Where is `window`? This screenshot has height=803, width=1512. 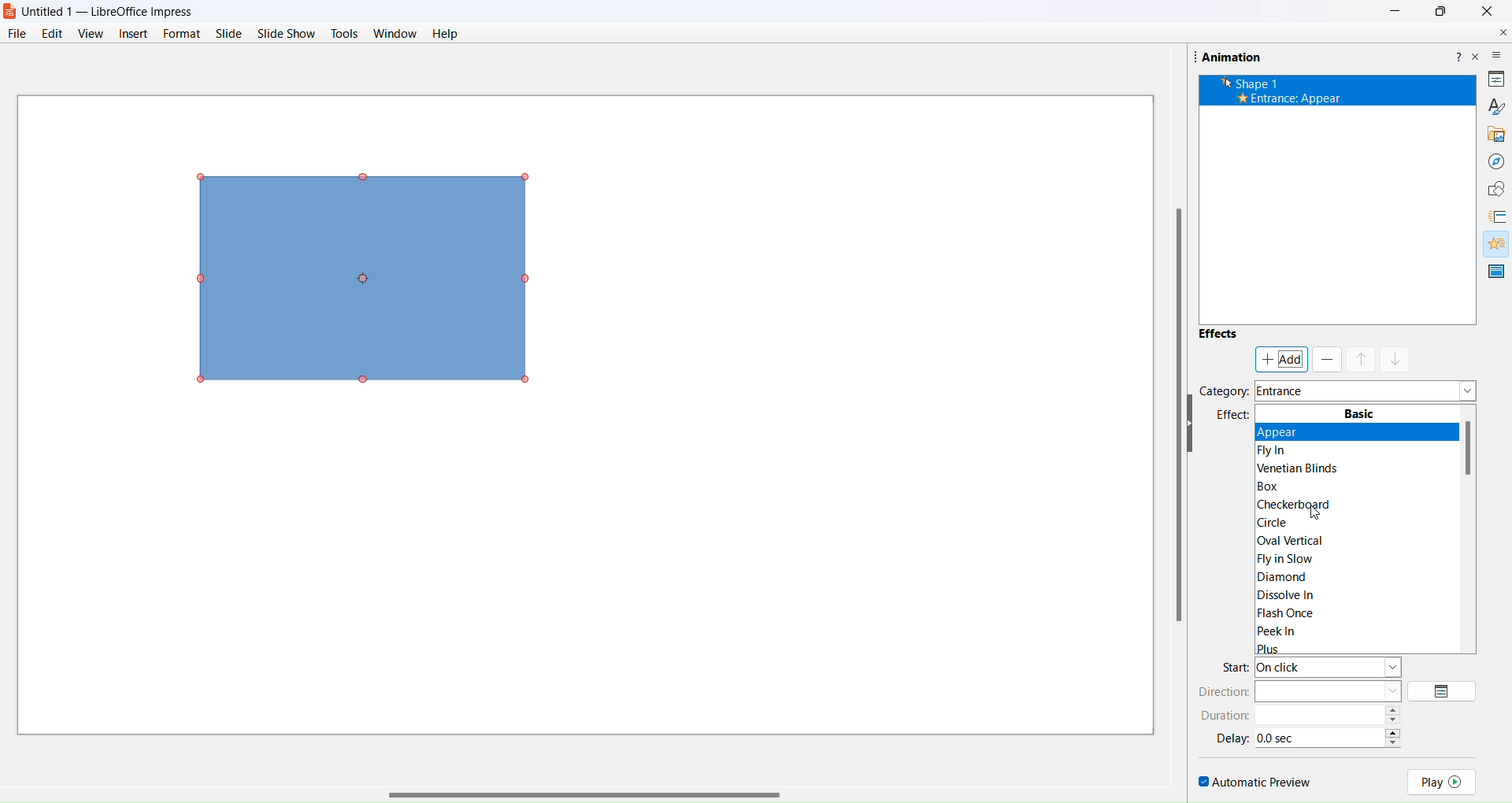
window is located at coordinates (396, 35).